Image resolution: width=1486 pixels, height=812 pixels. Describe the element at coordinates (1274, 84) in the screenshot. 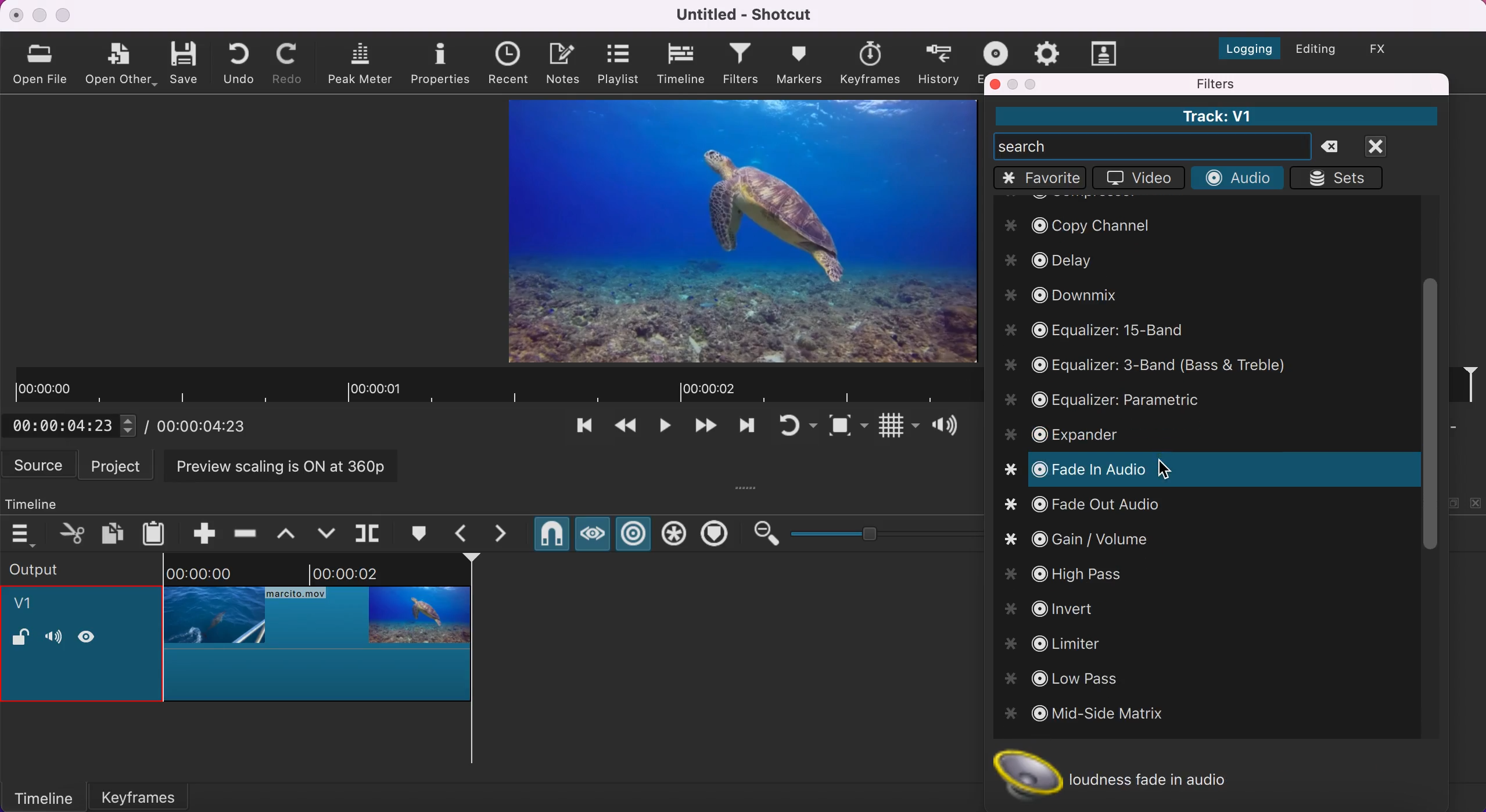

I see `filters` at that location.